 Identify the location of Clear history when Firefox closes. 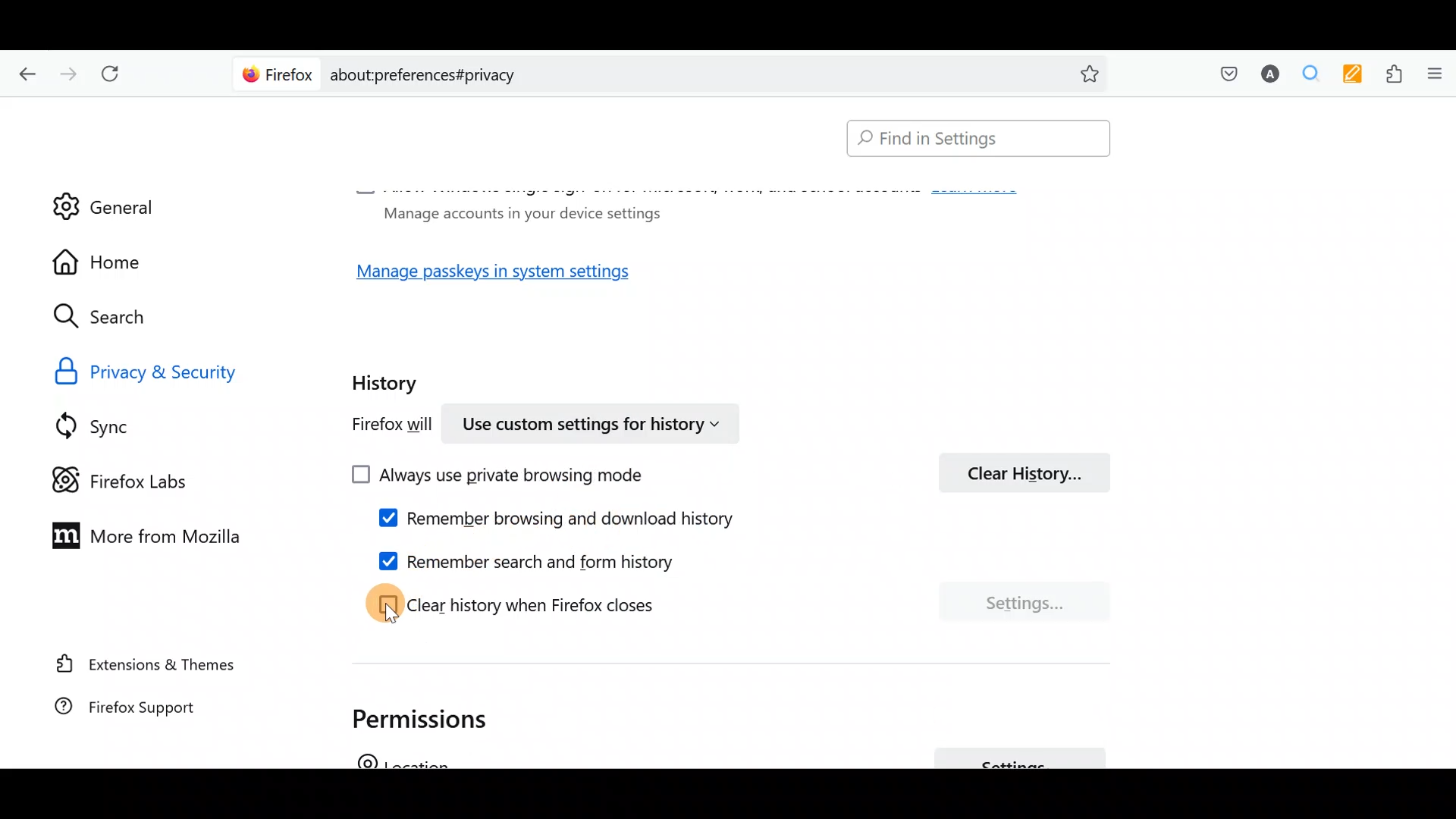
(557, 601).